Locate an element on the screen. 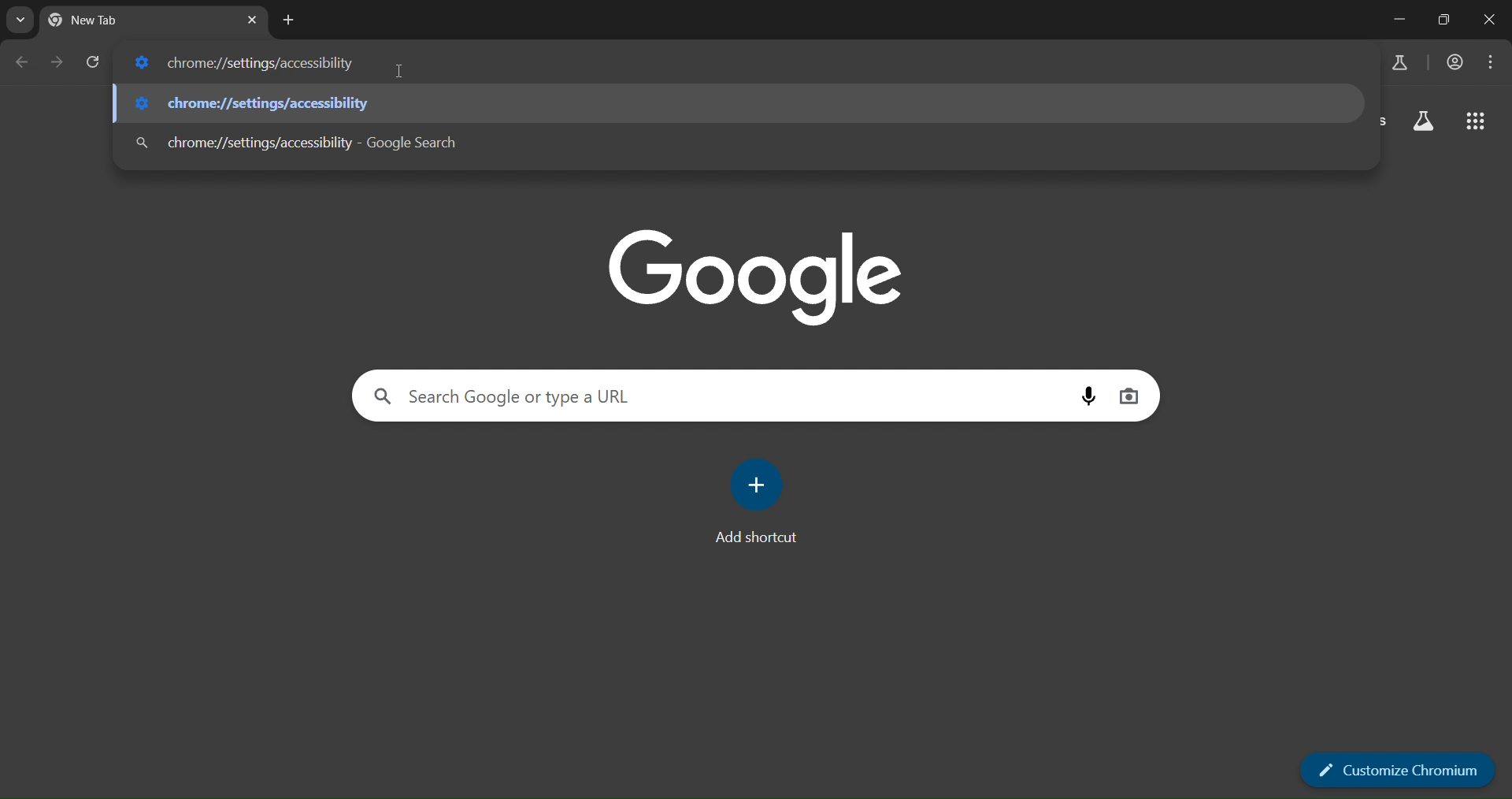  voice search is located at coordinates (1092, 396).